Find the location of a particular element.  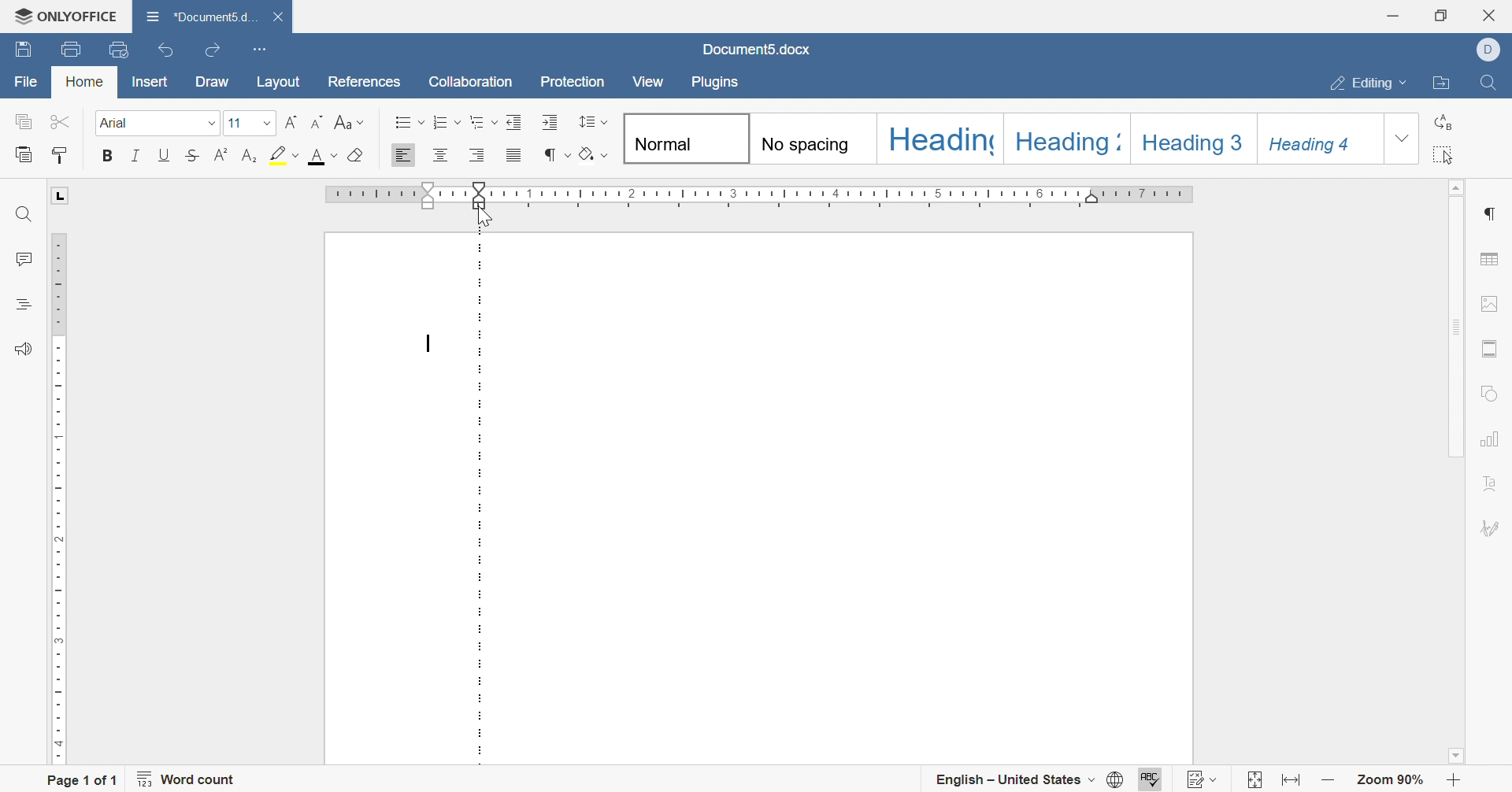

select all is located at coordinates (1450, 154).